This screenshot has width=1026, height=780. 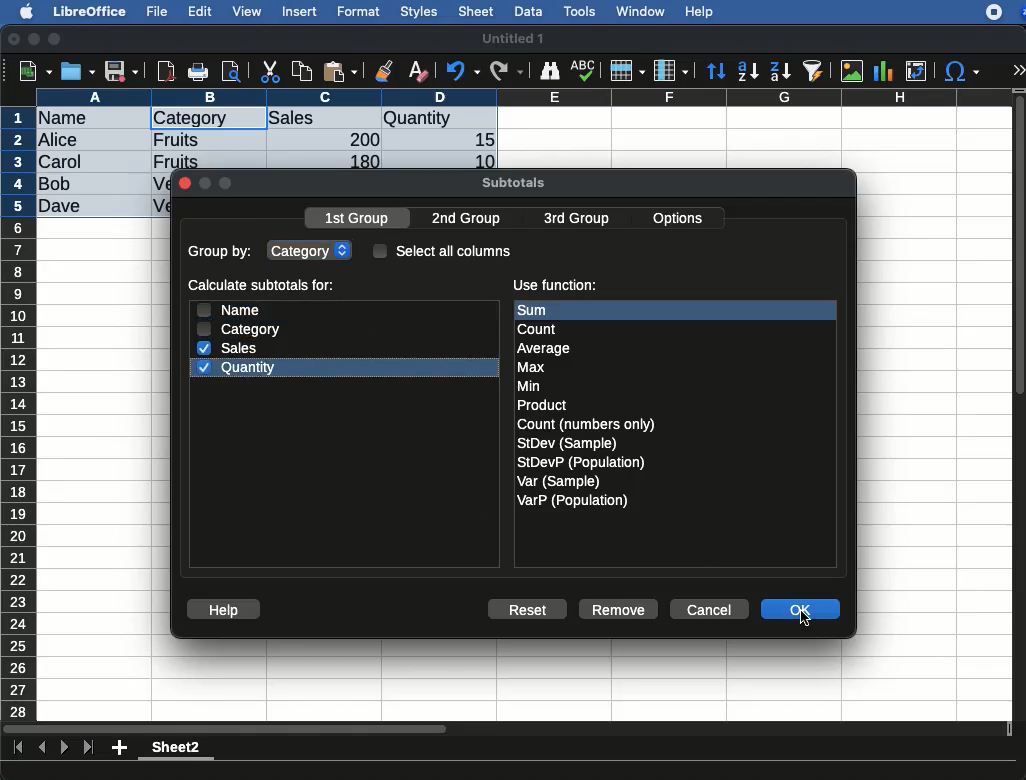 What do you see at coordinates (560, 481) in the screenshot?
I see `Var (sample)` at bounding box center [560, 481].